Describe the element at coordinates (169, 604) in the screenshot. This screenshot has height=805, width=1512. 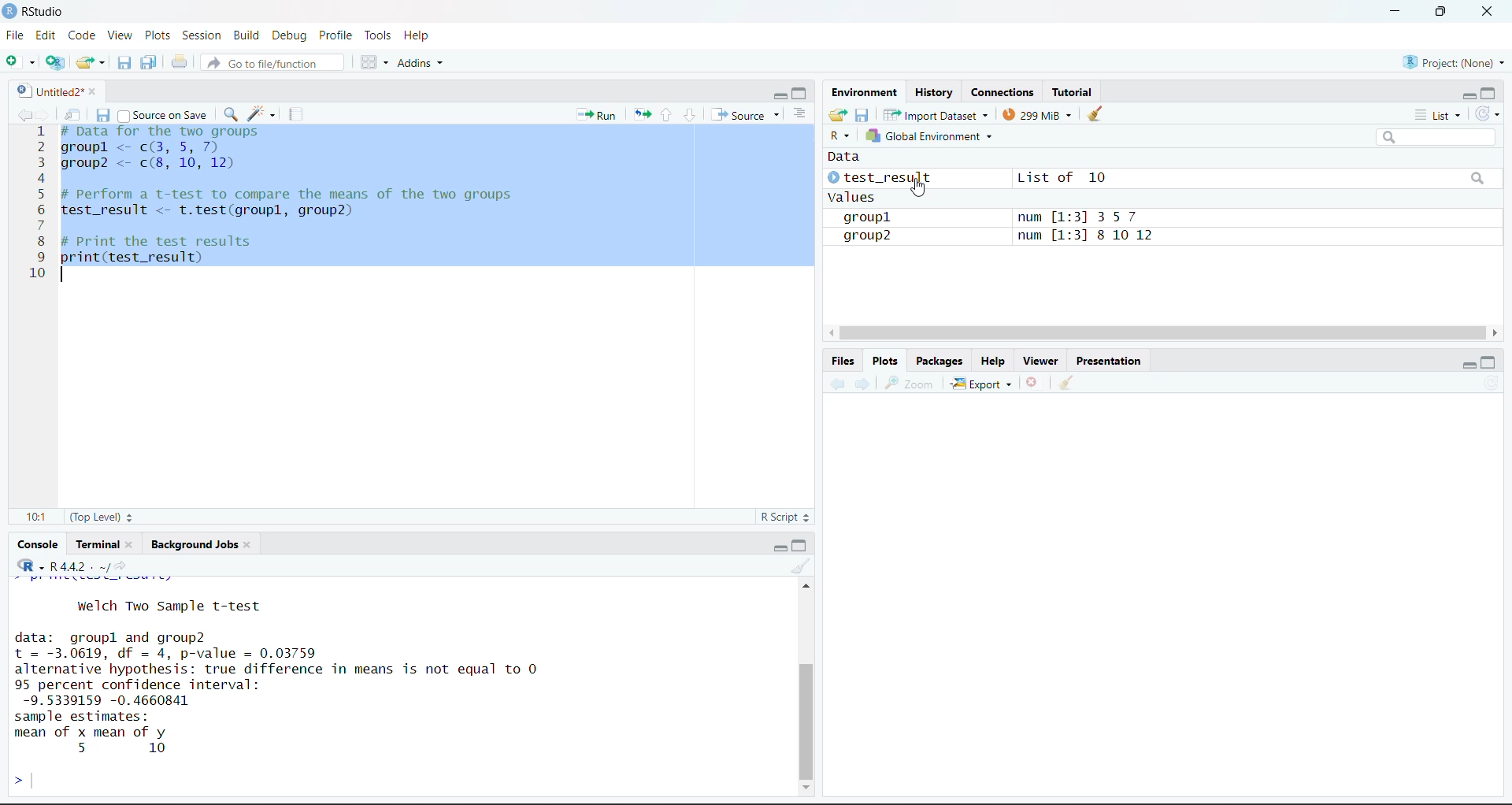
I see `welch Two Sample t-test` at that location.